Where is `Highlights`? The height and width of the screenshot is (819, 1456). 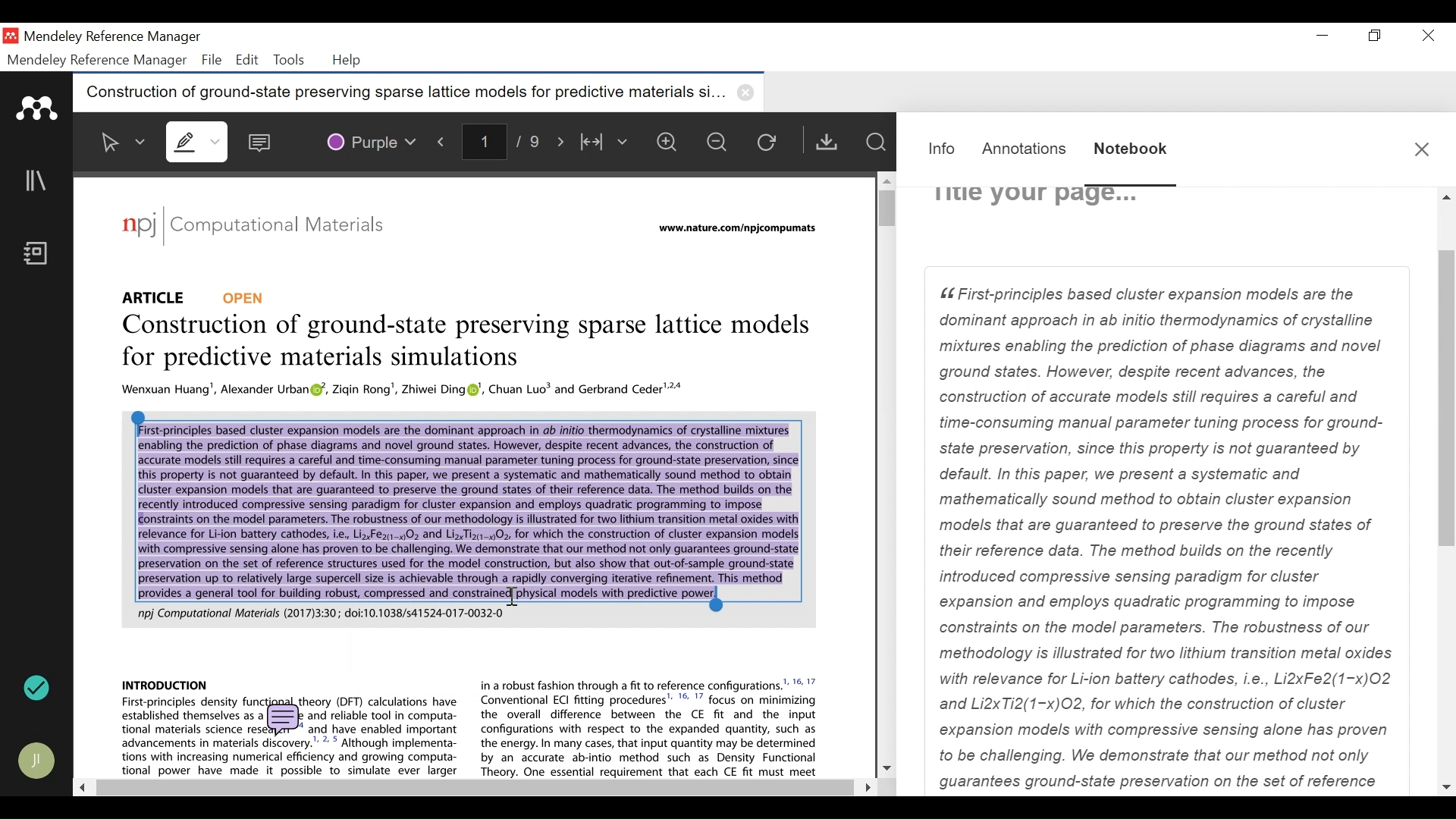 Highlights is located at coordinates (199, 141).